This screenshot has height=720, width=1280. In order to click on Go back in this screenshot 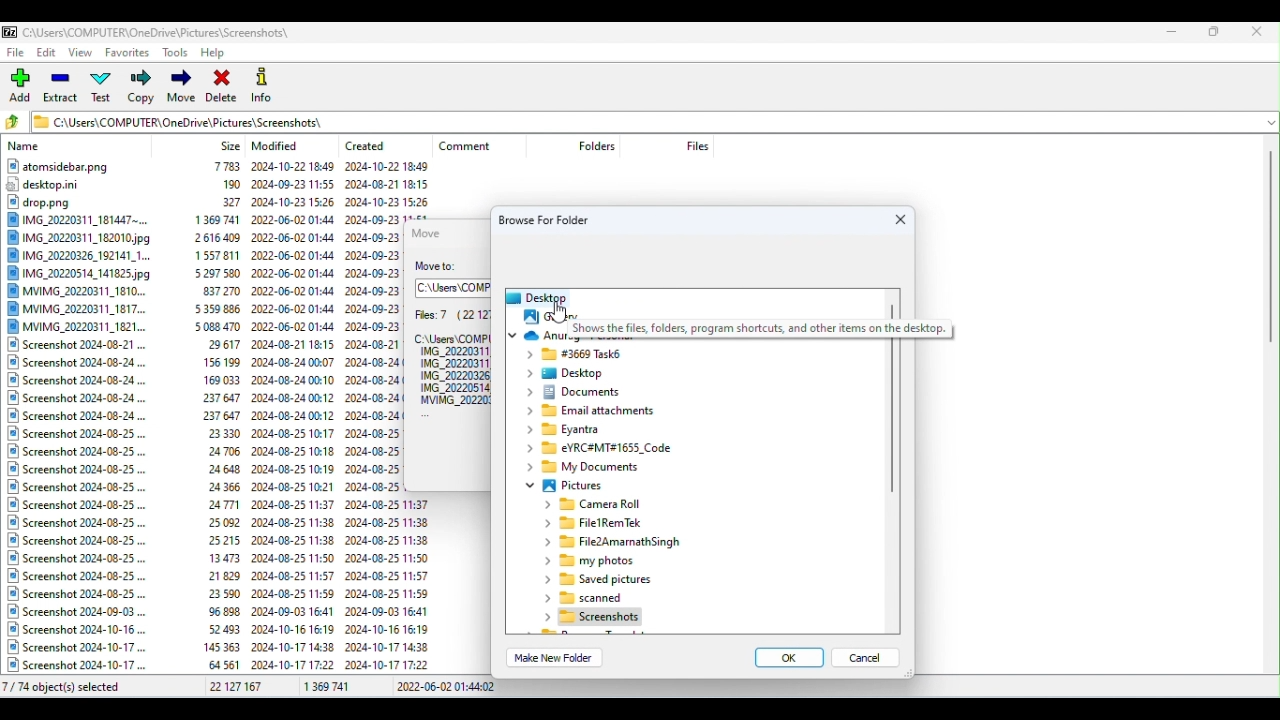, I will do `click(16, 123)`.